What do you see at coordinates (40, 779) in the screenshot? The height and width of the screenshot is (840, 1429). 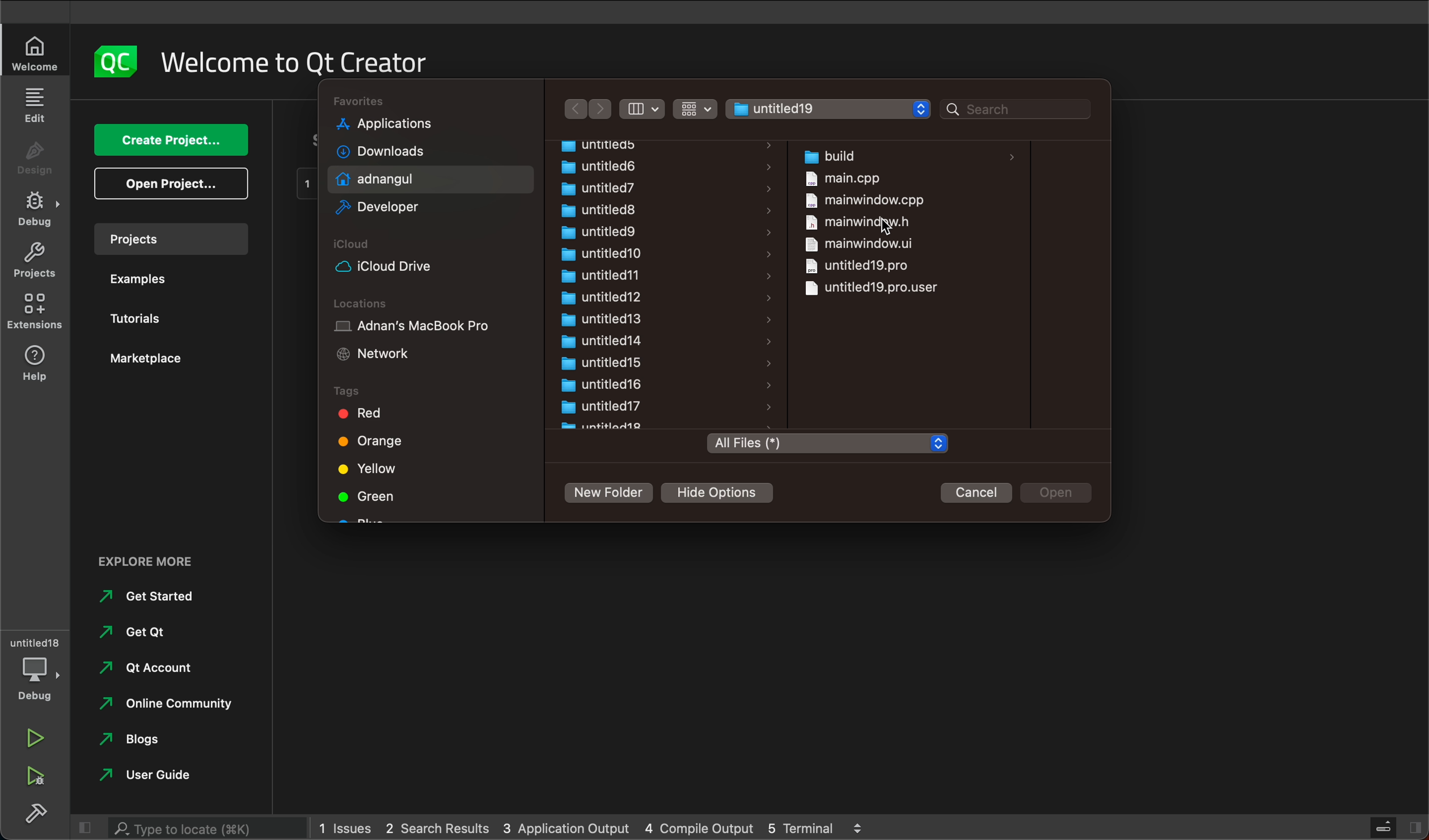 I see `run debug` at bounding box center [40, 779].